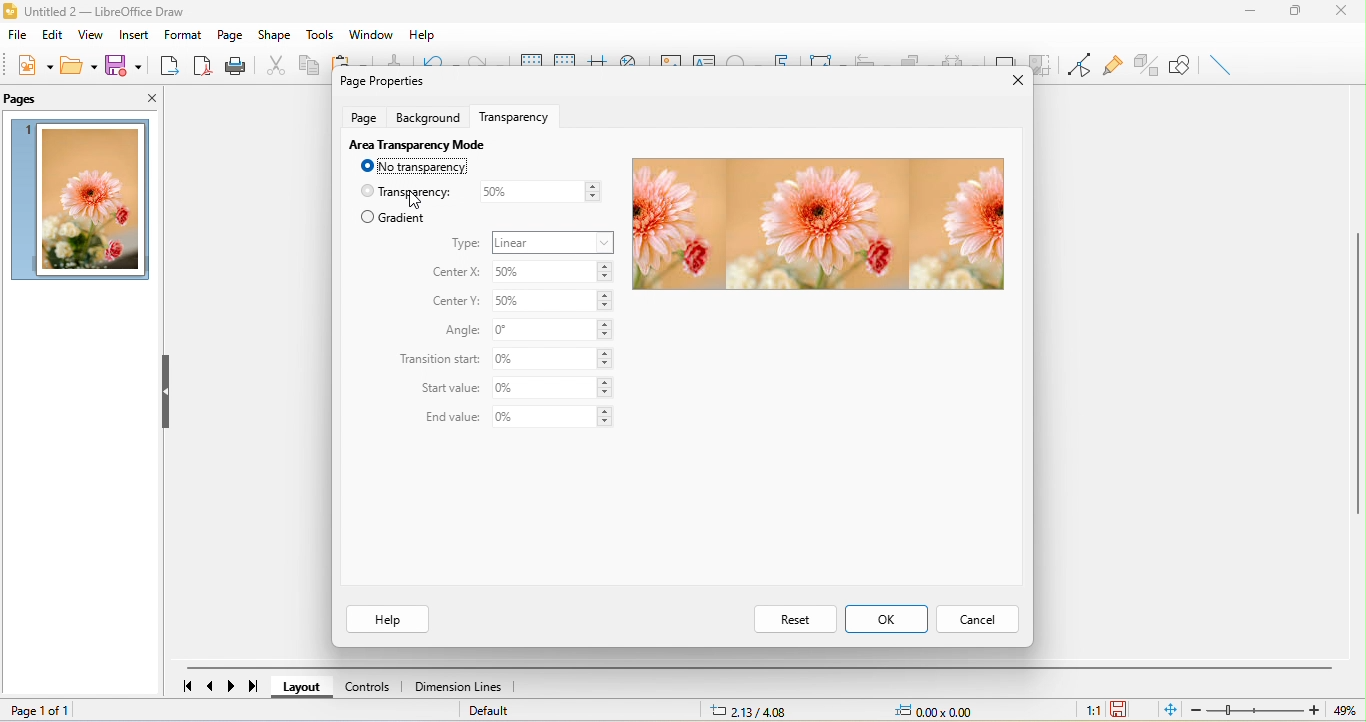  I want to click on 2.13/4.08, so click(753, 711).